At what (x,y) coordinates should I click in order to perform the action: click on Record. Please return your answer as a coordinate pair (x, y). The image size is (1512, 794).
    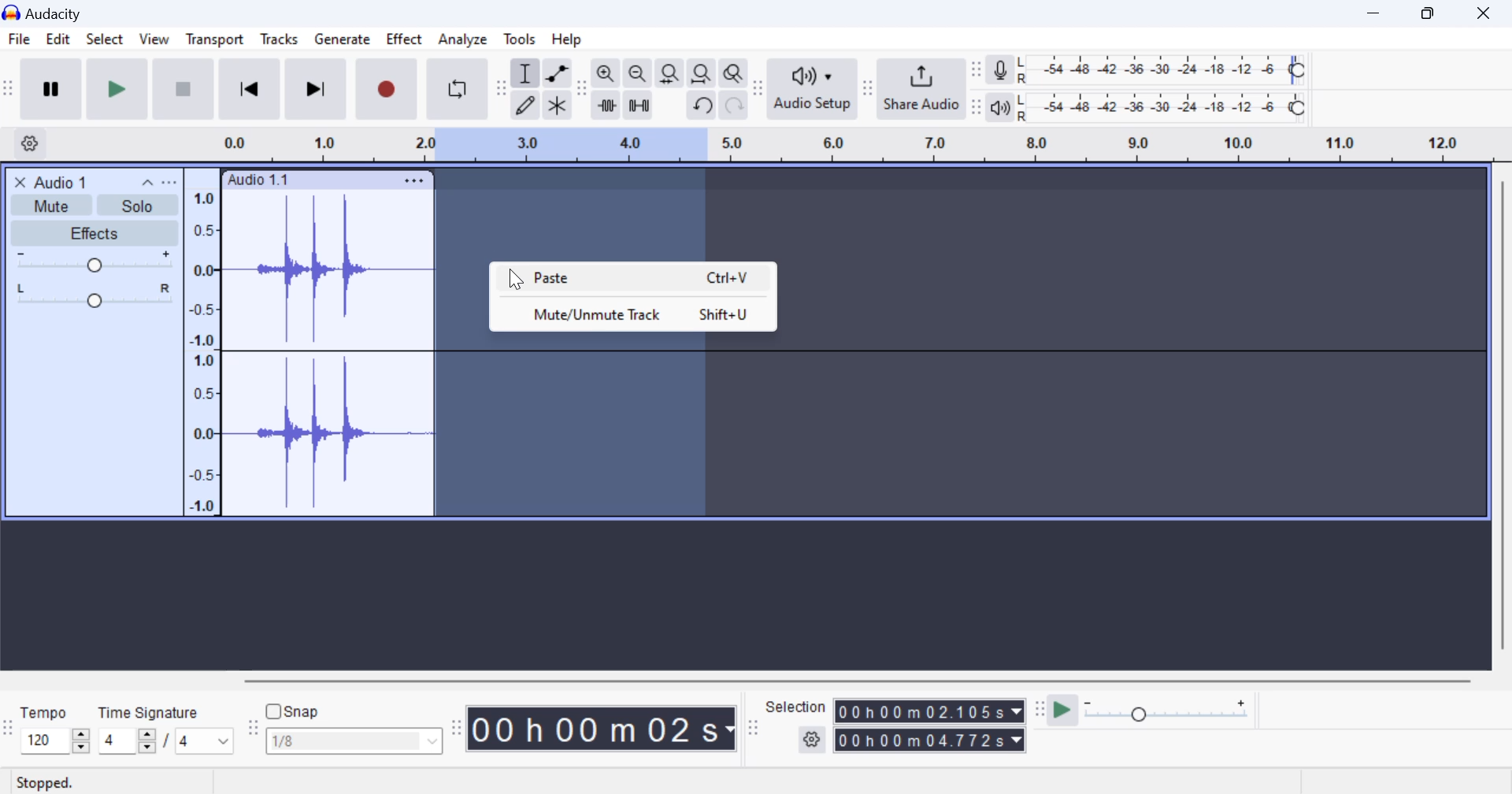
    Looking at the image, I should click on (384, 90).